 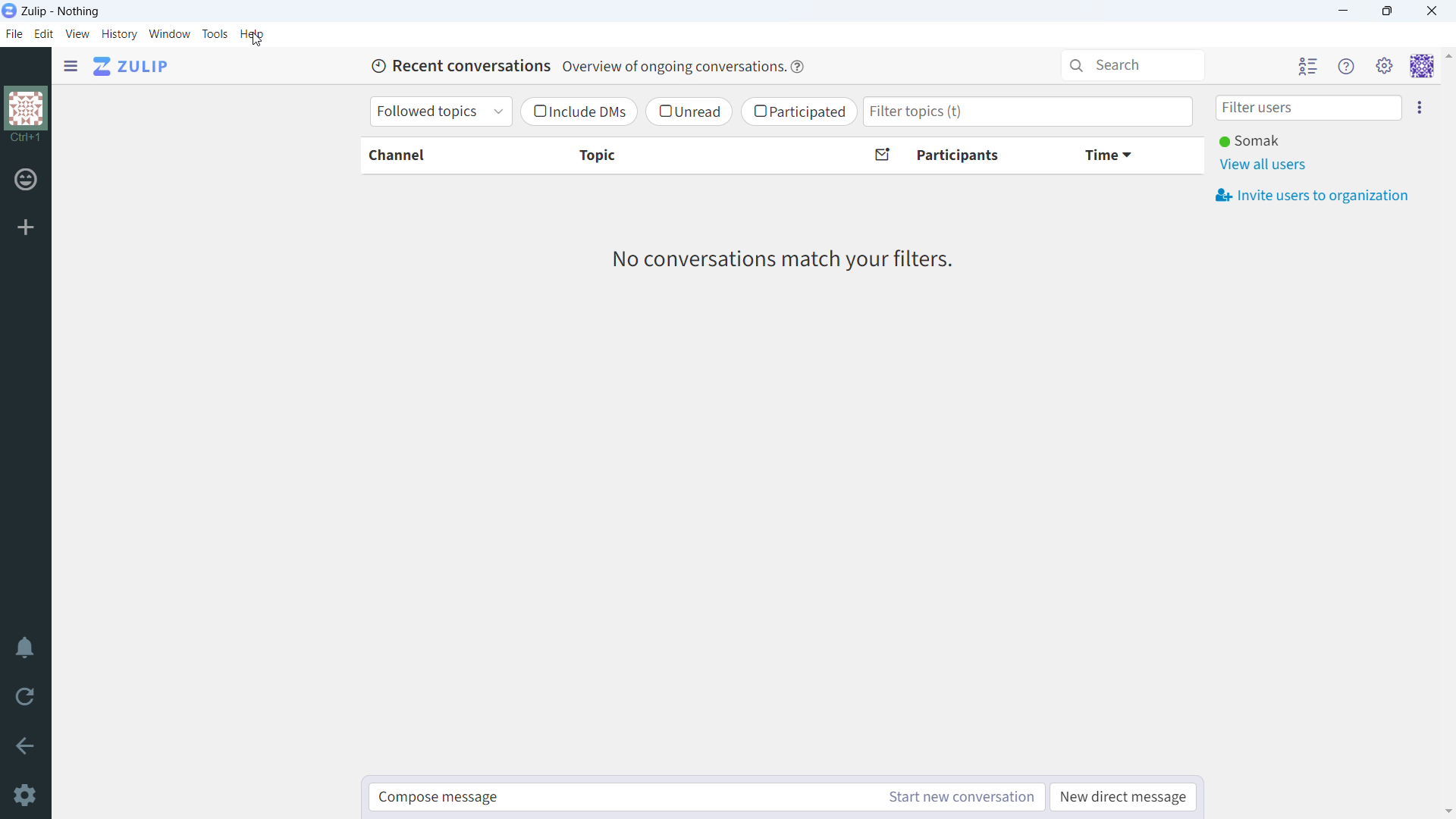 What do you see at coordinates (1308, 65) in the screenshot?
I see `show user list` at bounding box center [1308, 65].